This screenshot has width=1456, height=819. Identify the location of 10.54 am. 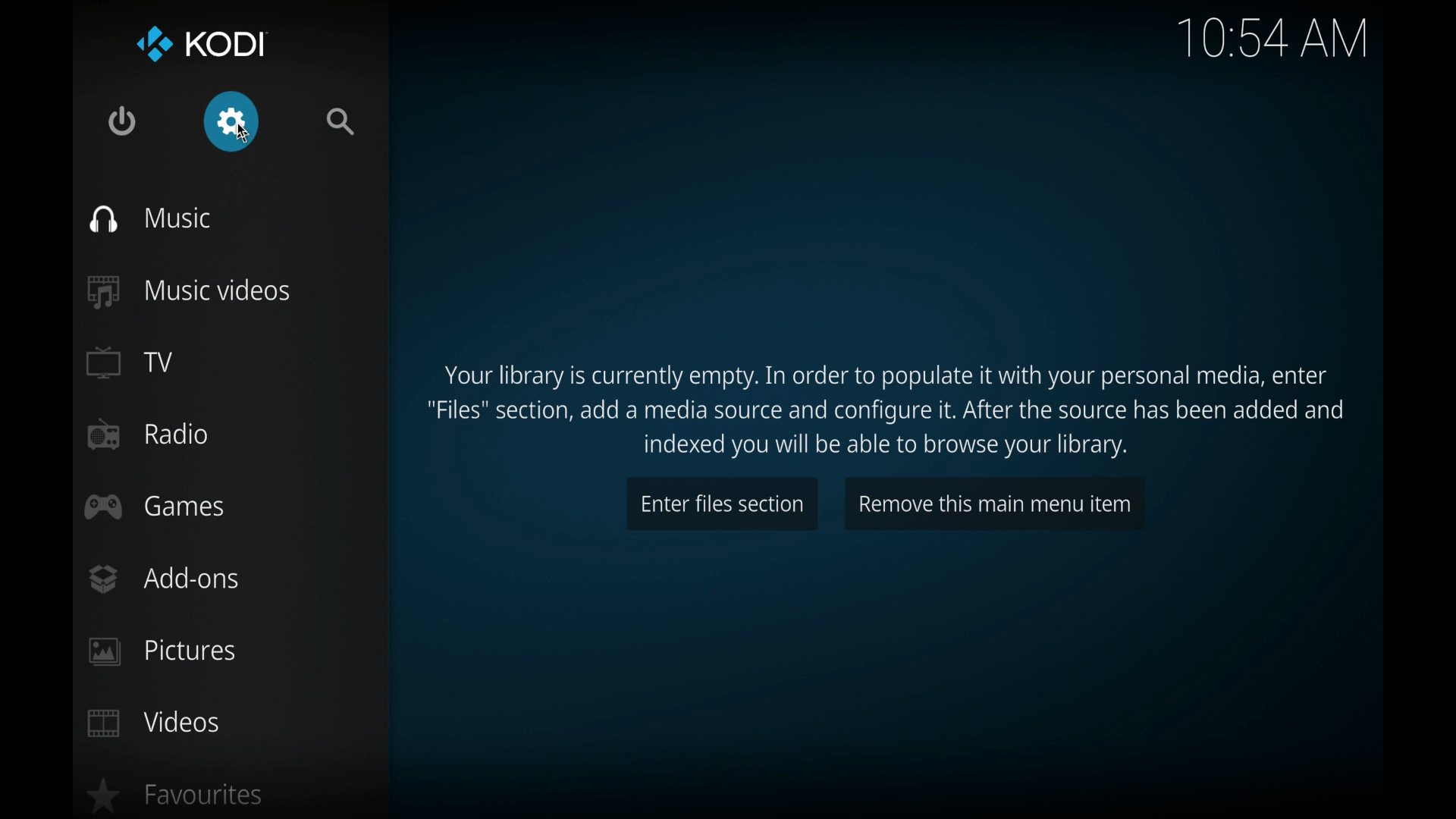
(1272, 38).